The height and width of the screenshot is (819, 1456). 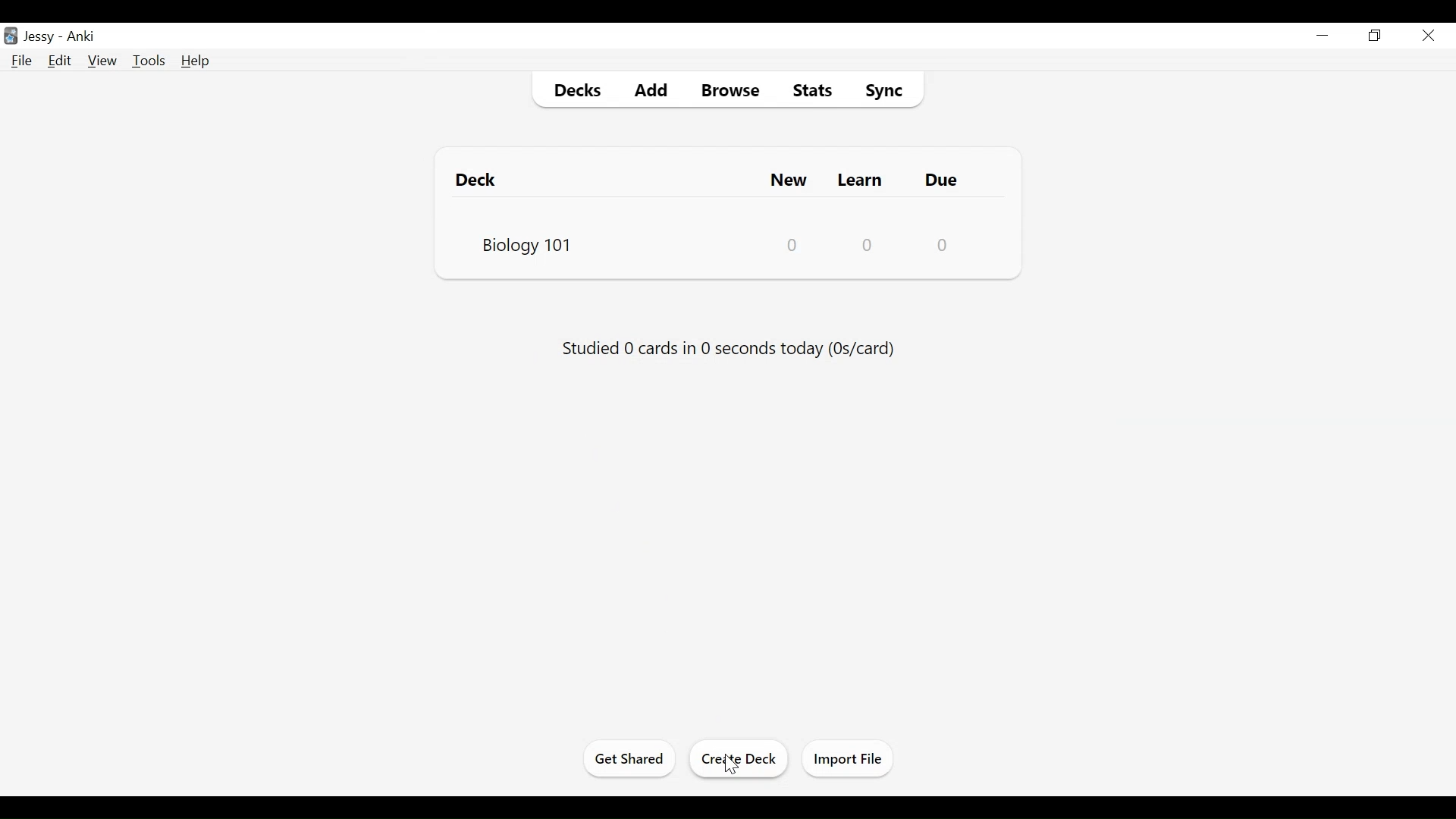 I want to click on Profile Name, so click(x=40, y=35).